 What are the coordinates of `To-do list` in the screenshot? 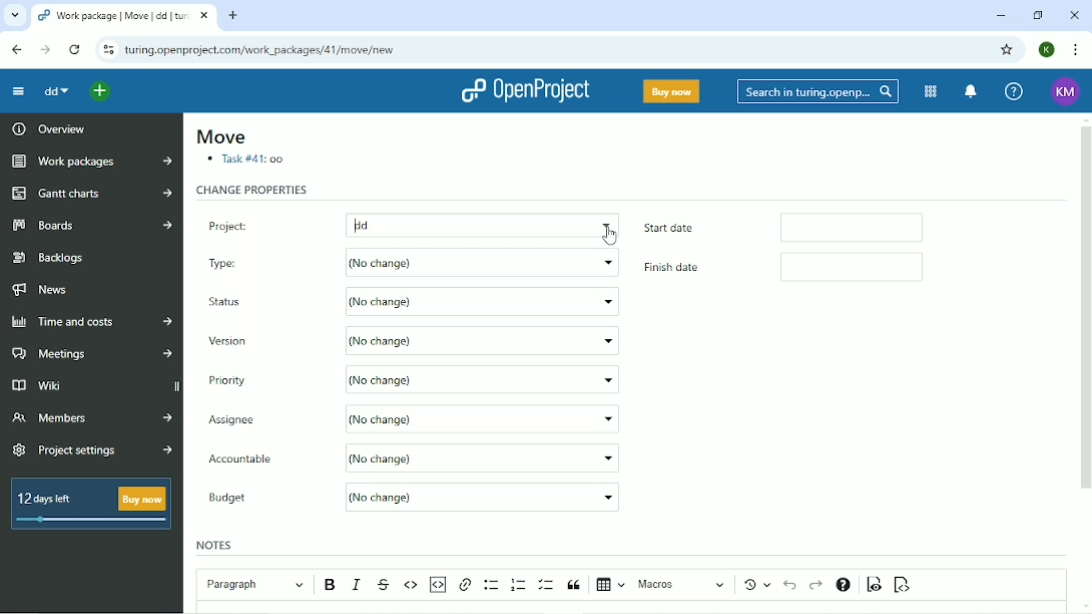 It's located at (547, 585).